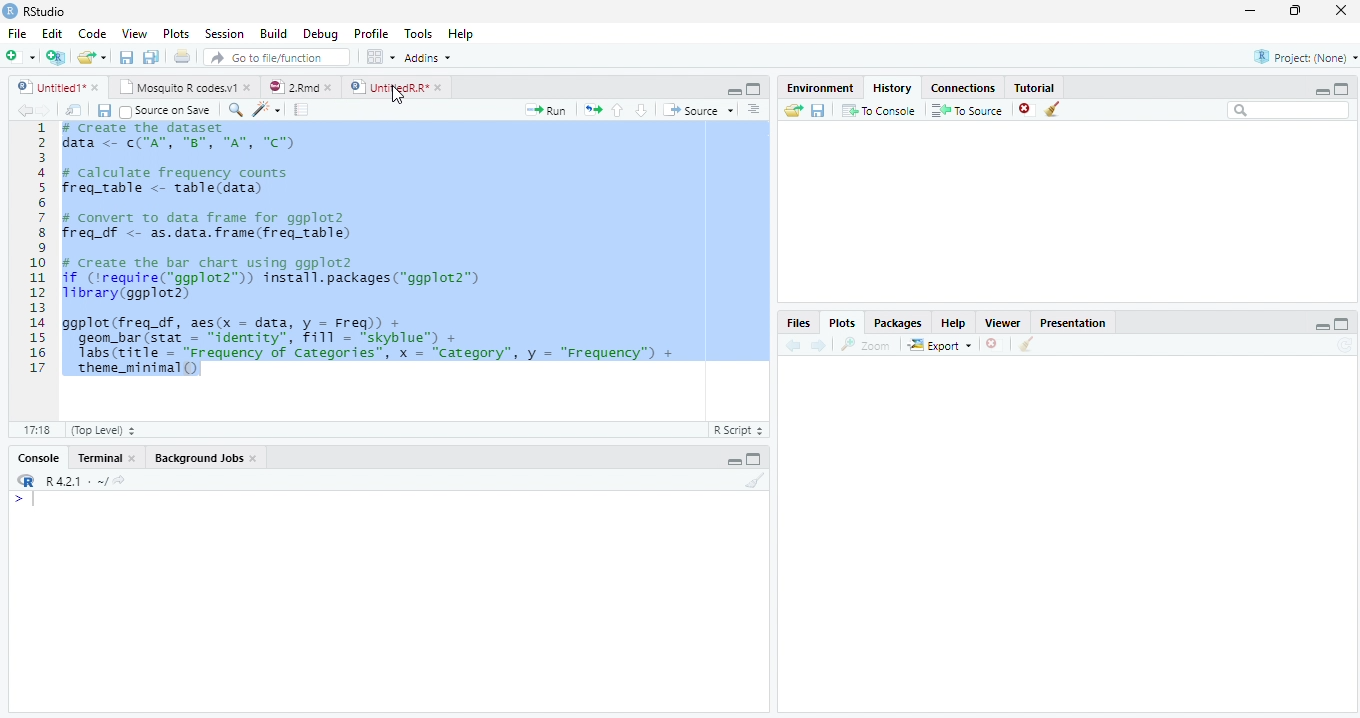 The height and width of the screenshot is (718, 1360). What do you see at coordinates (879, 111) in the screenshot?
I see `To console` at bounding box center [879, 111].